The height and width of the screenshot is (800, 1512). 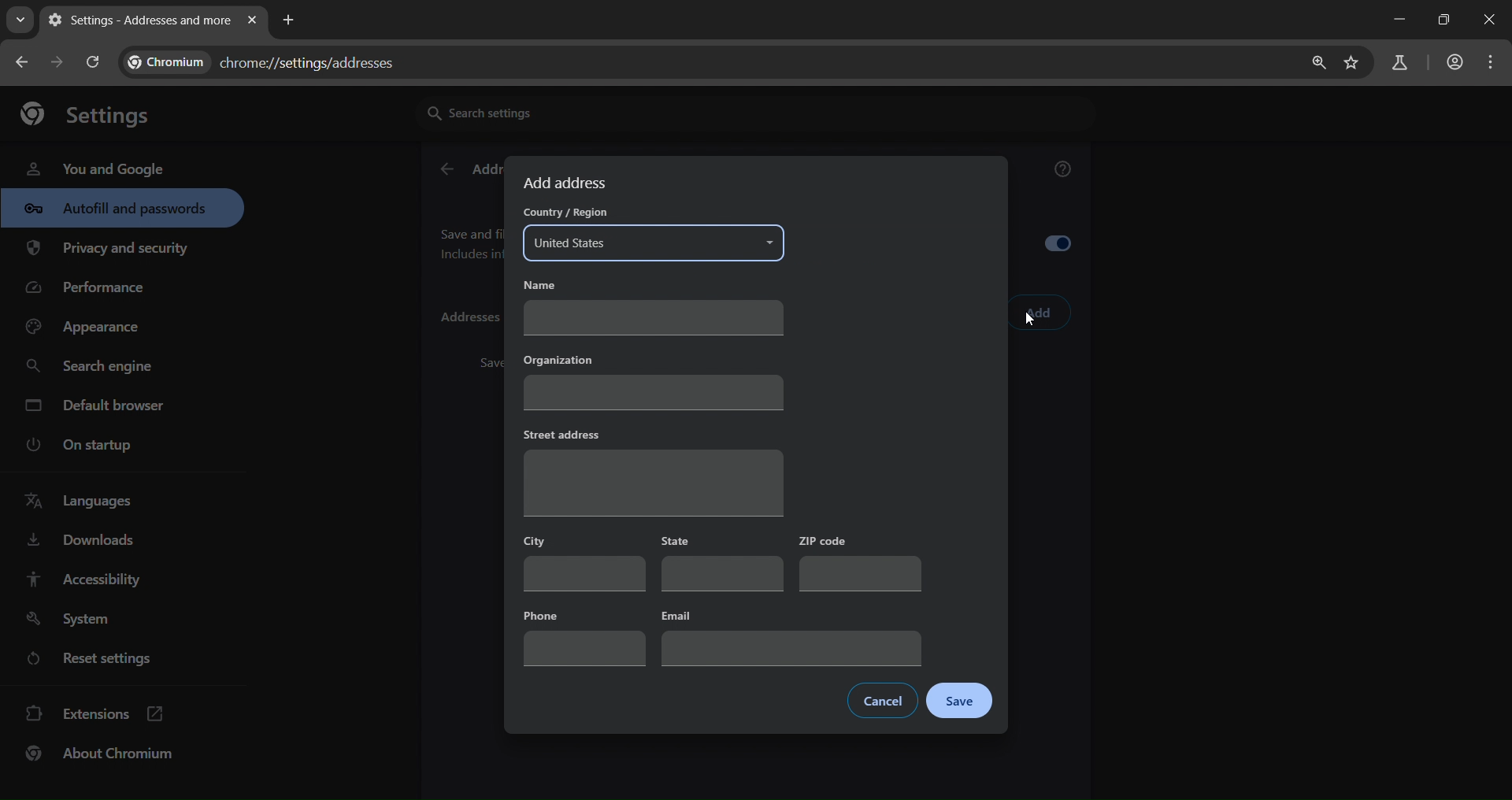 What do you see at coordinates (585, 636) in the screenshot?
I see `phone` at bounding box center [585, 636].